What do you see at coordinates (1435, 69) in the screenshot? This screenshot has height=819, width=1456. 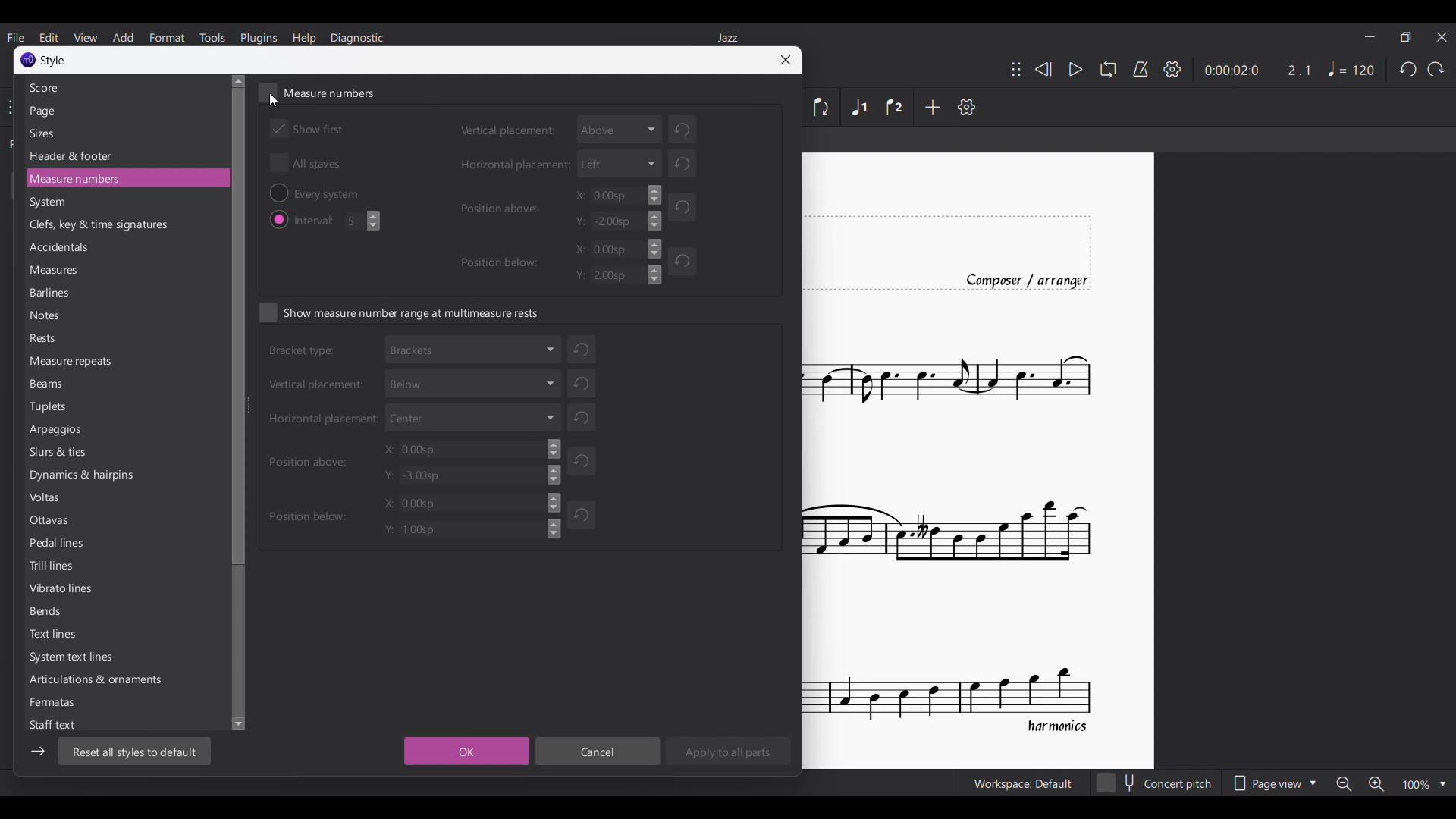 I see `Redo` at bounding box center [1435, 69].